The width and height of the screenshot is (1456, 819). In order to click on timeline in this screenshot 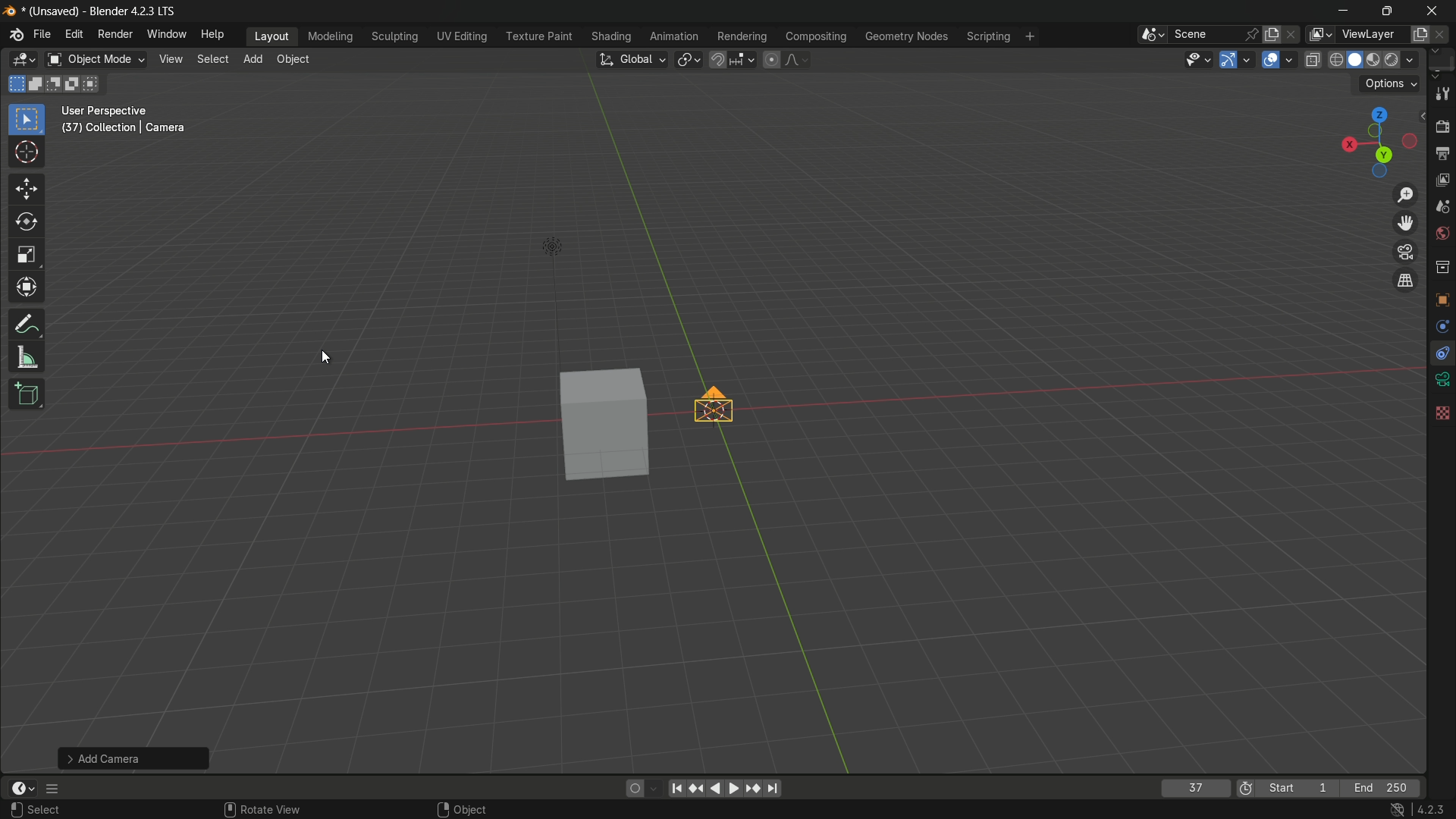, I will do `click(25, 788)`.